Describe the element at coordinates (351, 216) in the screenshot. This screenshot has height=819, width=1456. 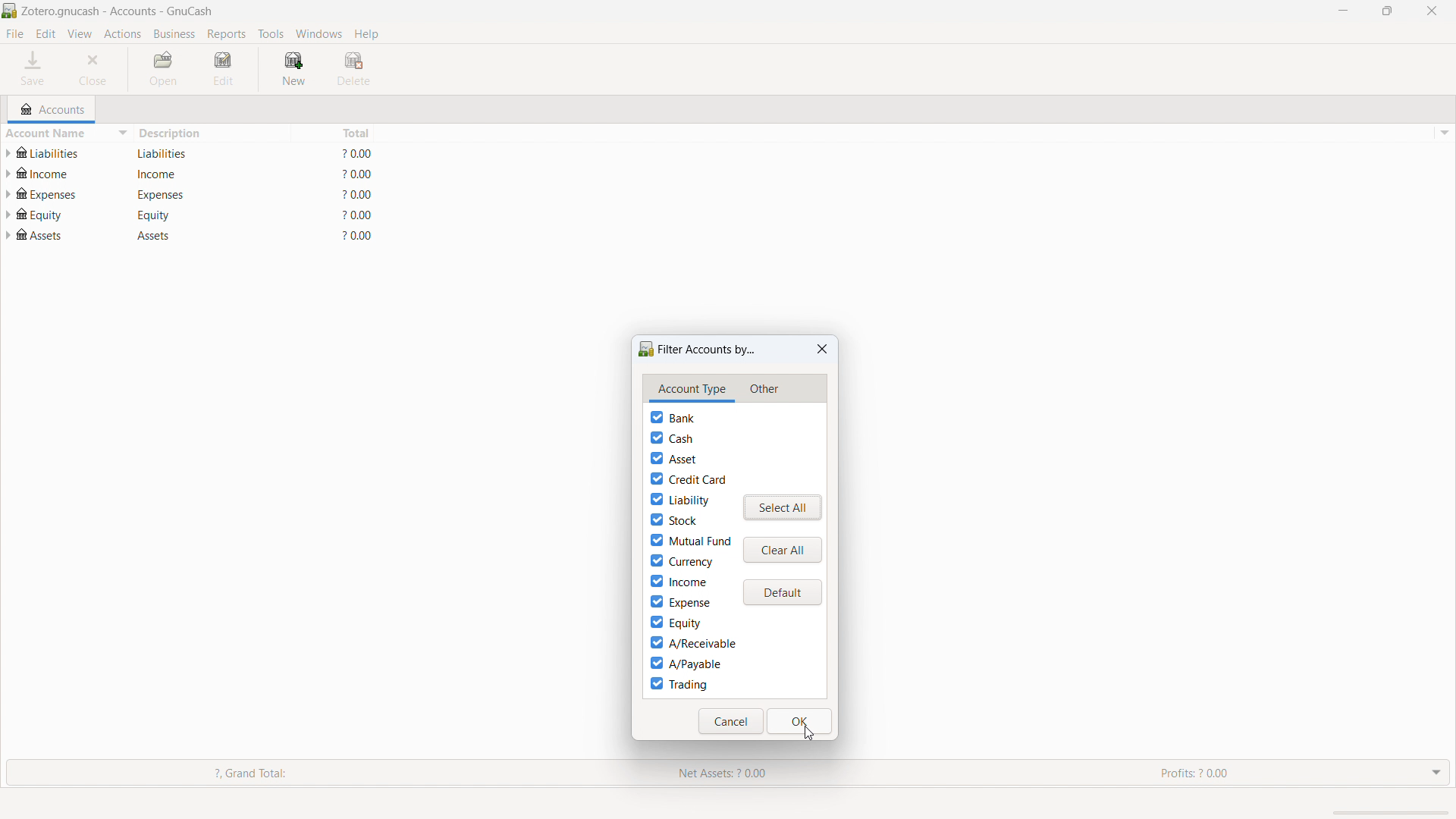
I see `total` at that location.